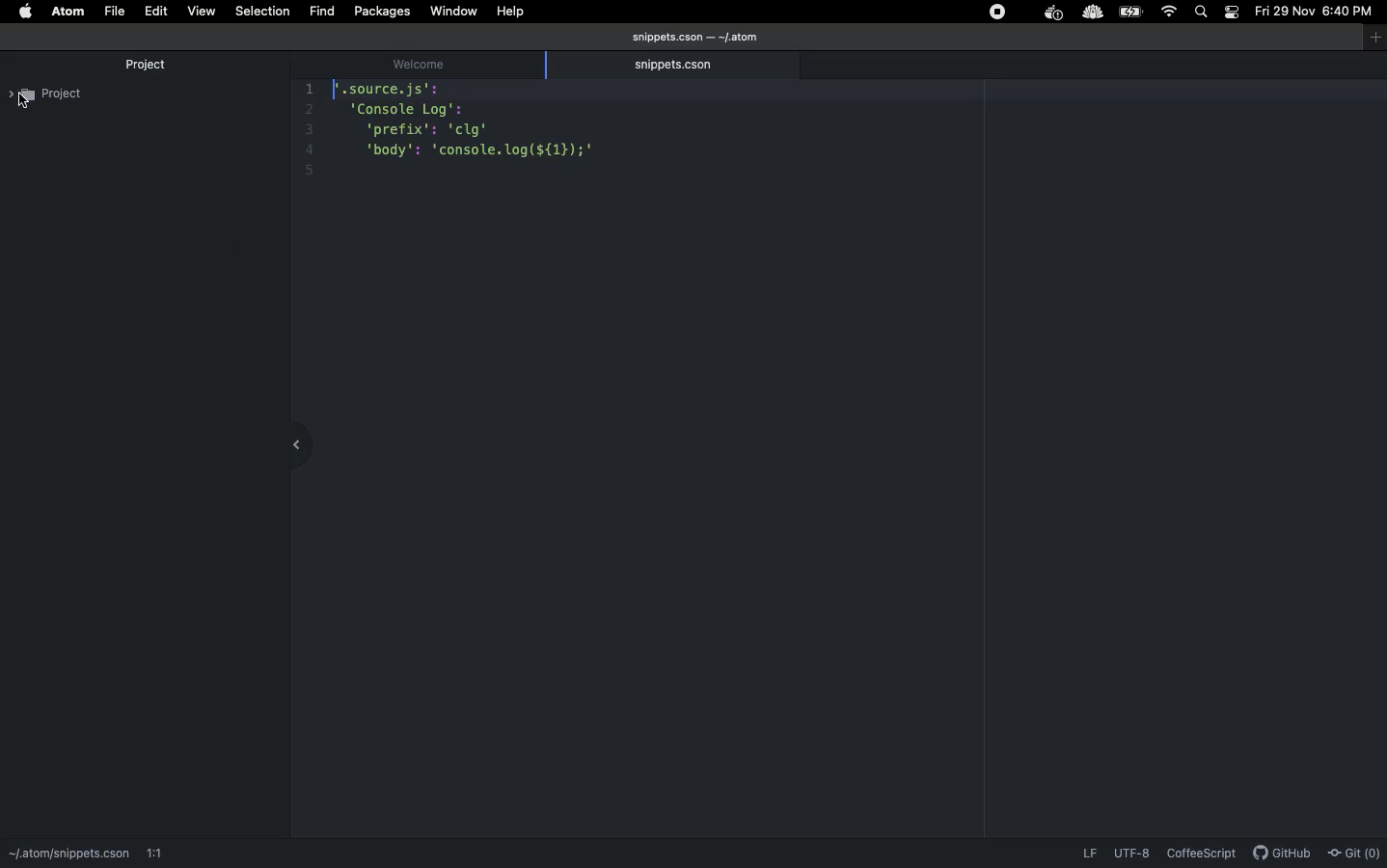 The image size is (1387, 868). What do you see at coordinates (28, 12) in the screenshot?
I see `Apple logo` at bounding box center [28, 12].